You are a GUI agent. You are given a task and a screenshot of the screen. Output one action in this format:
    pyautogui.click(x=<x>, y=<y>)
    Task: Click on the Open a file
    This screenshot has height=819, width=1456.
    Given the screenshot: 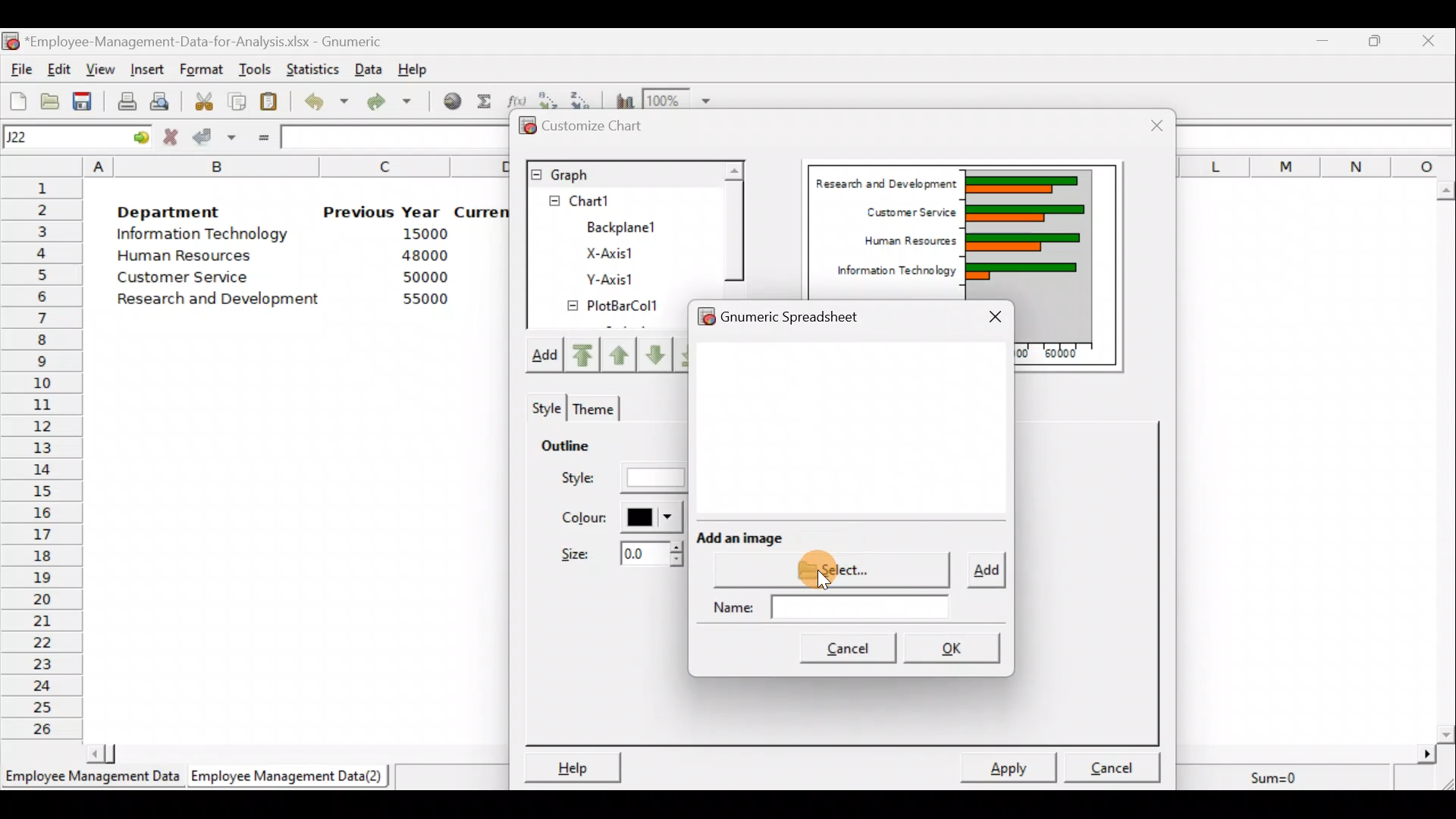 What is the action you would take?
    pyautogui.click(x=49, y=99)
    